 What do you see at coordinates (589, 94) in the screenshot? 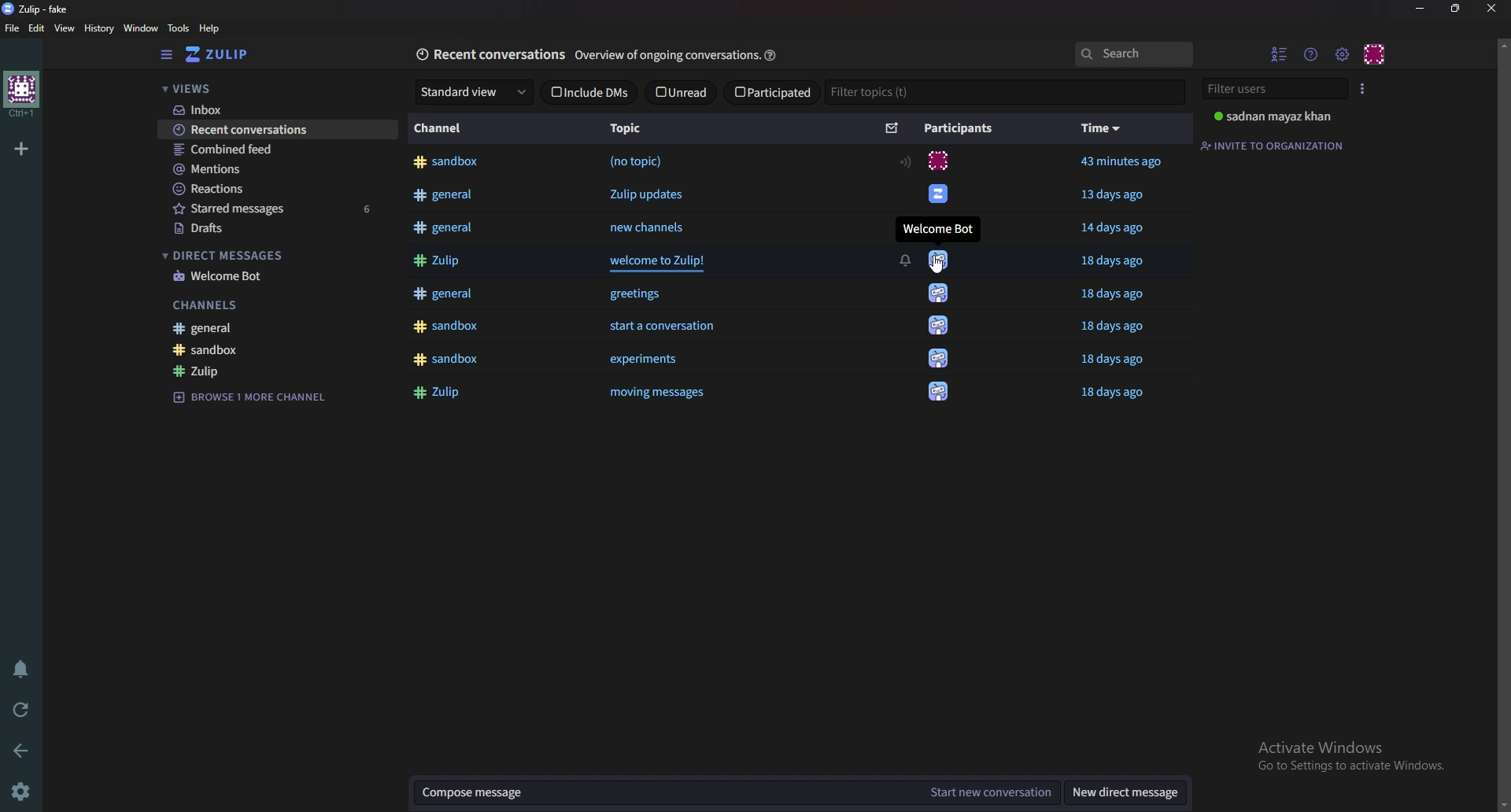
I see `Include D M` at bounding box center [589, 94].